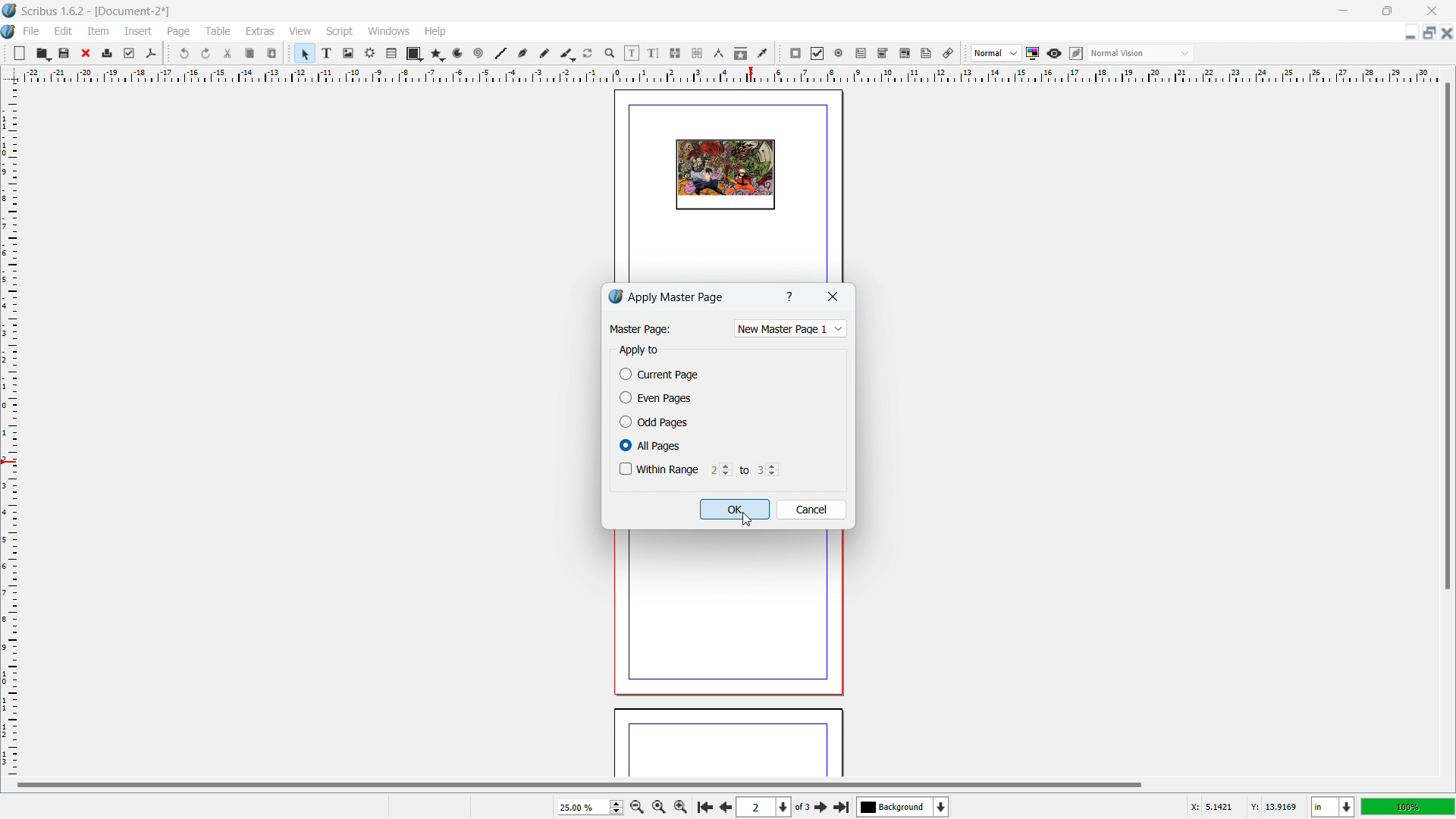  Describe the element at coordinates (1075, 54) in the screenshot. I see `edit in preview mode` at that location.